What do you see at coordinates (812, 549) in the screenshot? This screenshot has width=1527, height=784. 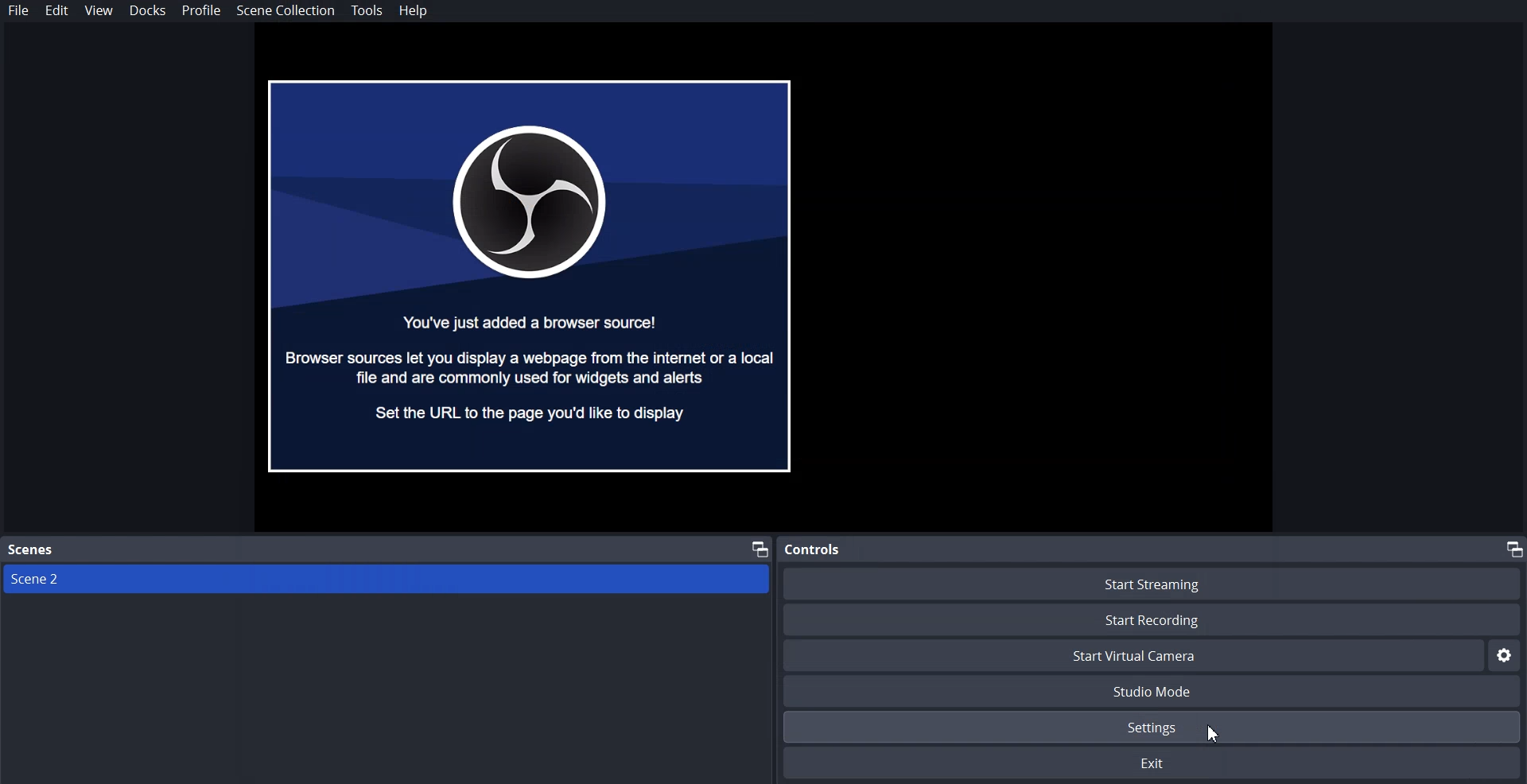 I see `Text` at bounding box center [812, 549].